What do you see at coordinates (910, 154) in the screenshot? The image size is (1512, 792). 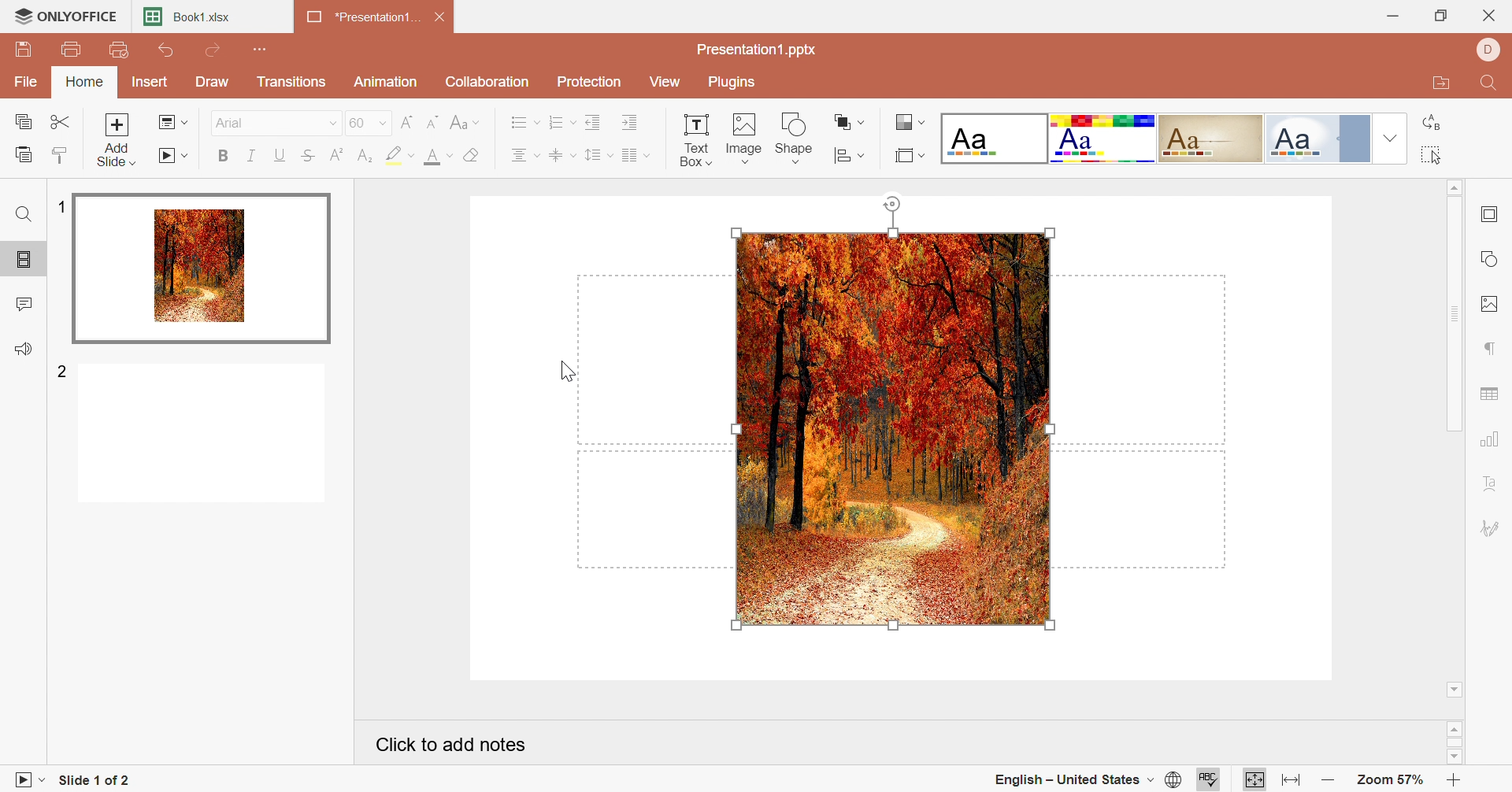 I see `Select slide layout` at bounding box center [910, 154].